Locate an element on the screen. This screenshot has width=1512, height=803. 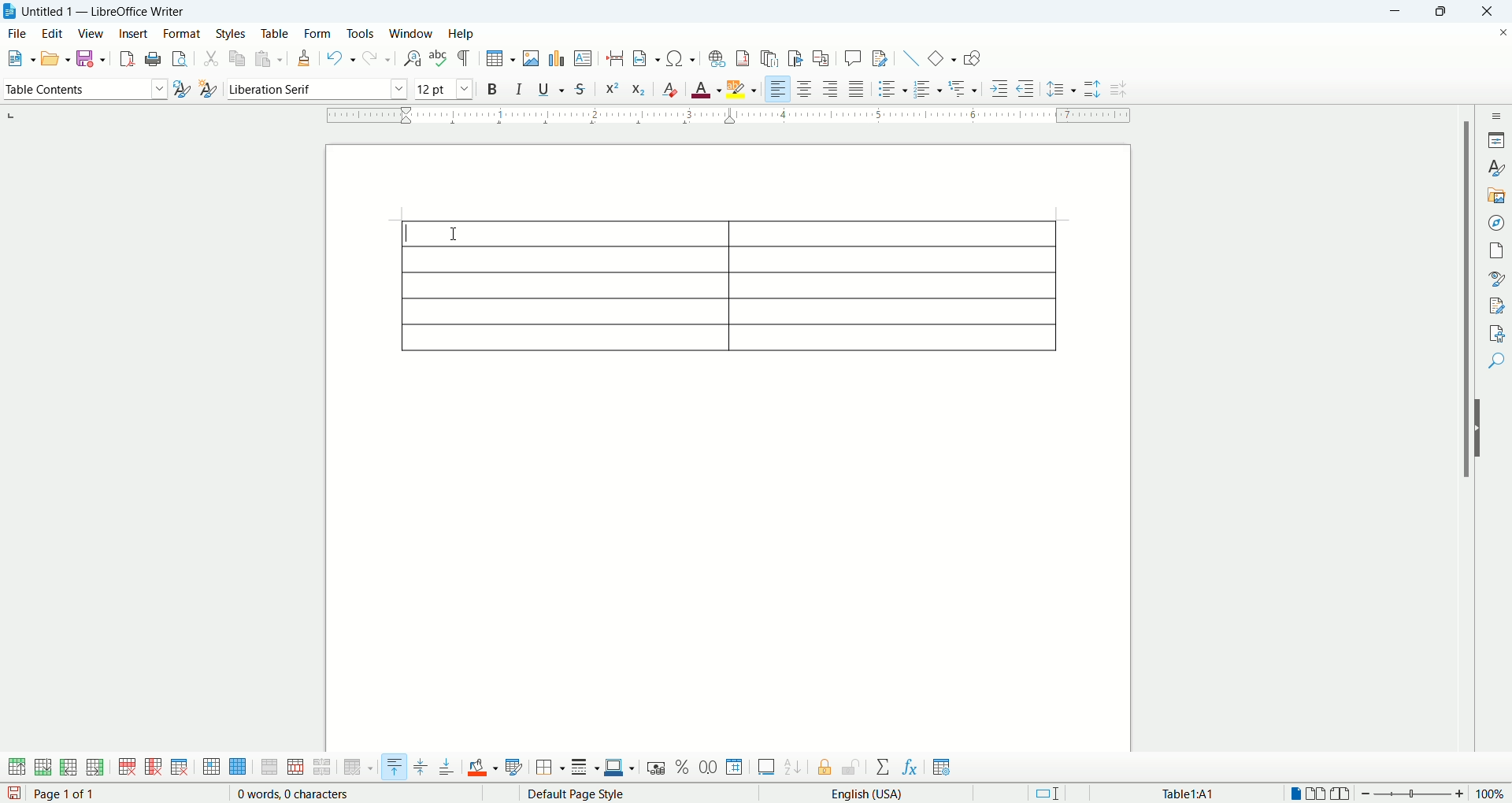
window is located at coordinates (413, 33).